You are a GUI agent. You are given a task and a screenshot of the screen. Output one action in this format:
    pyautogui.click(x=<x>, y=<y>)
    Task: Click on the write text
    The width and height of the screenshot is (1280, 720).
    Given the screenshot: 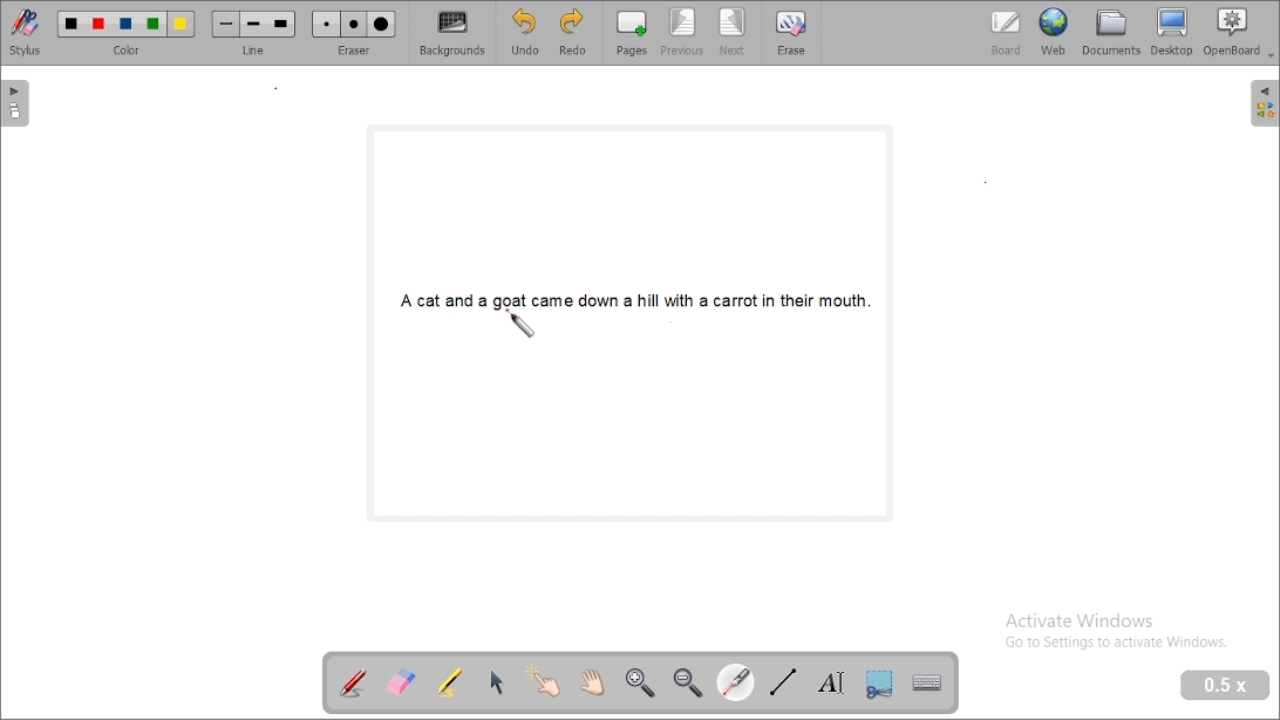 What is the action you would take?
    pyautogui.click(x=830, y=682)
    